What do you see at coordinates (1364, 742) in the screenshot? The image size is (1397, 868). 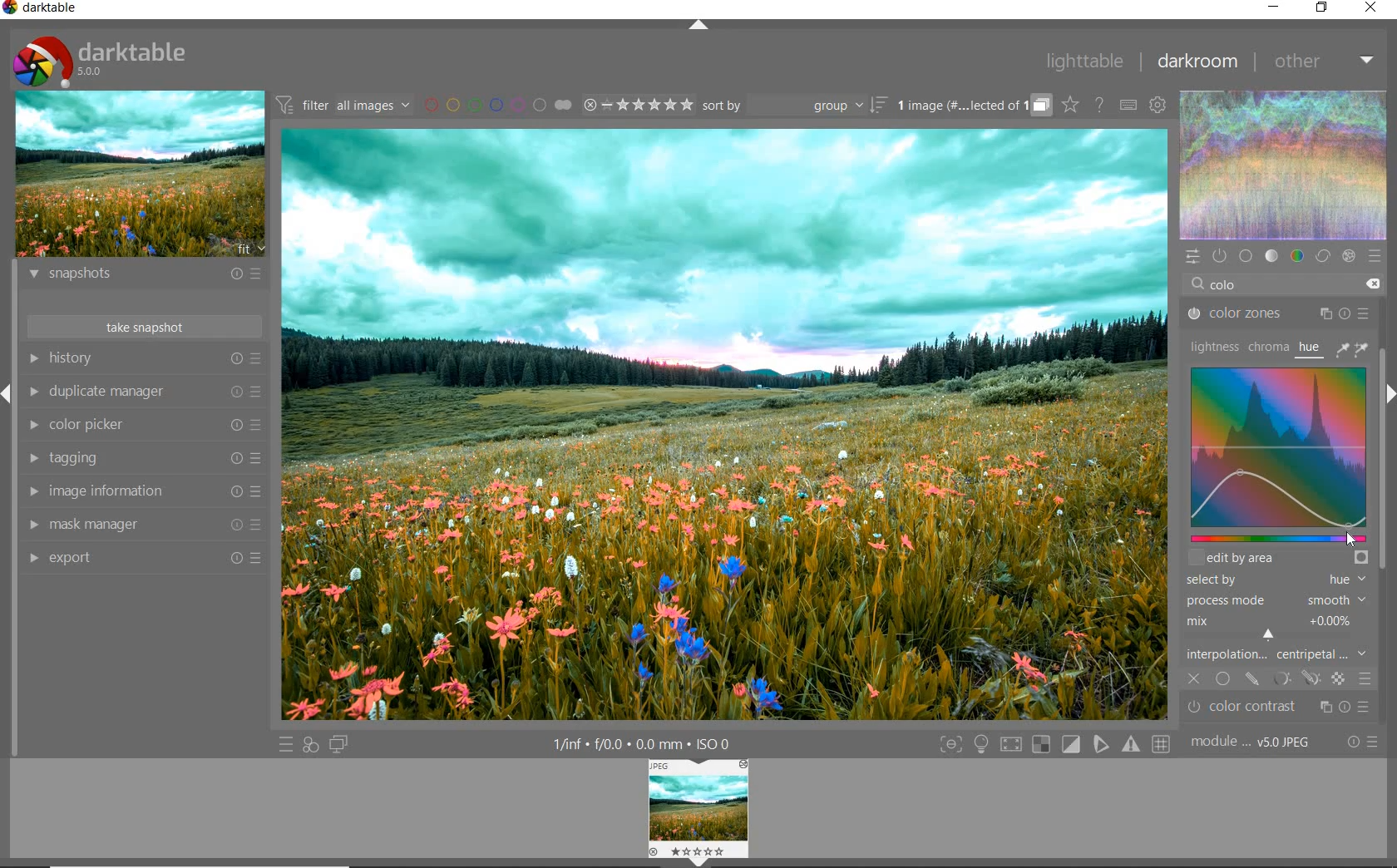 I see `reset or presets and preferences` at bounding box center [1364, 742].